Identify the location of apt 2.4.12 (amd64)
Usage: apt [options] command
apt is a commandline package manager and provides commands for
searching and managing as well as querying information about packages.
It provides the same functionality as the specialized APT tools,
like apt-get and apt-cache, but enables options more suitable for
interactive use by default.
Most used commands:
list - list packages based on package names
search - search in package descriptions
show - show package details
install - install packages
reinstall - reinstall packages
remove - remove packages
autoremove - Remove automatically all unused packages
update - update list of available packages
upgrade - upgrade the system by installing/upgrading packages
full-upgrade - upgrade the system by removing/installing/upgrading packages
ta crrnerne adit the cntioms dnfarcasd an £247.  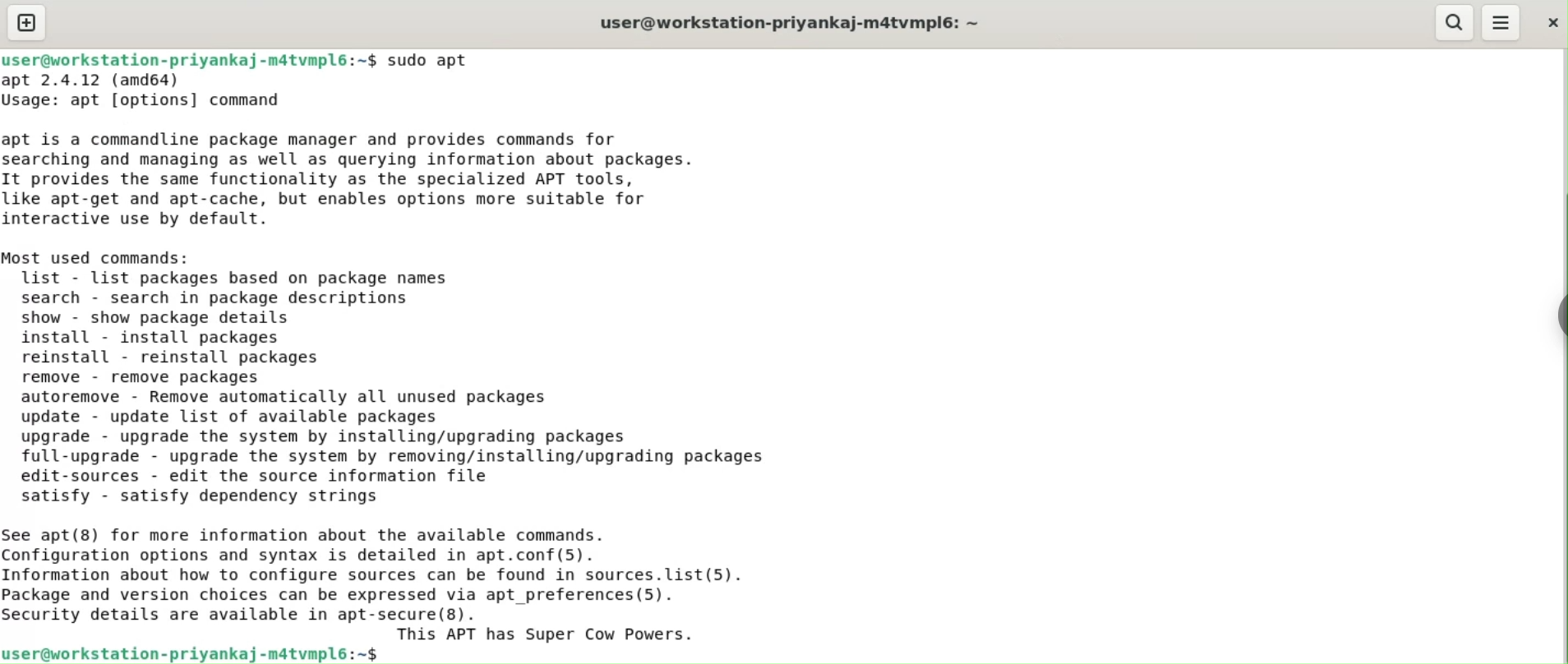
(454, 277).